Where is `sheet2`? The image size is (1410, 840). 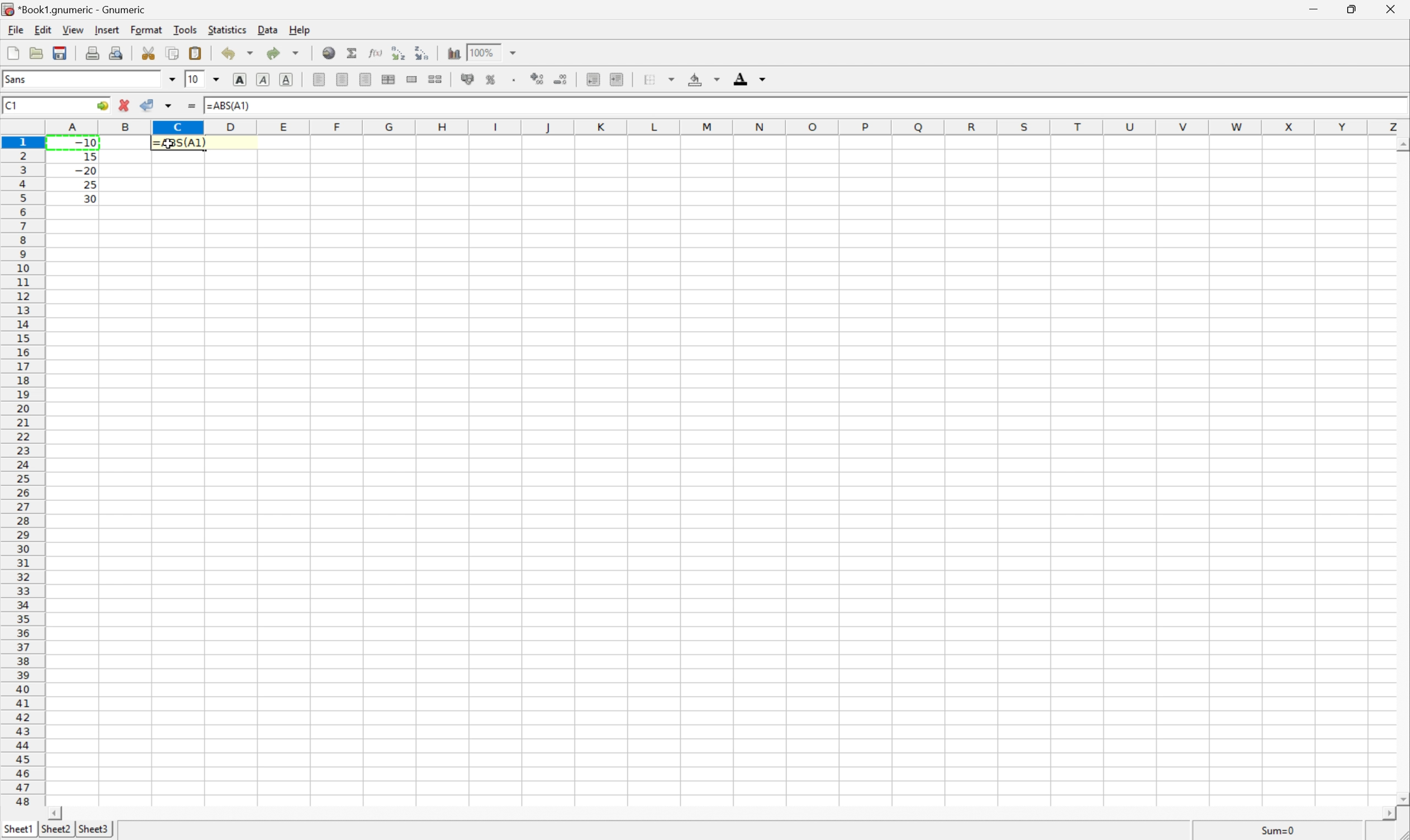 sheet2 is located at coordinates (55, 830).